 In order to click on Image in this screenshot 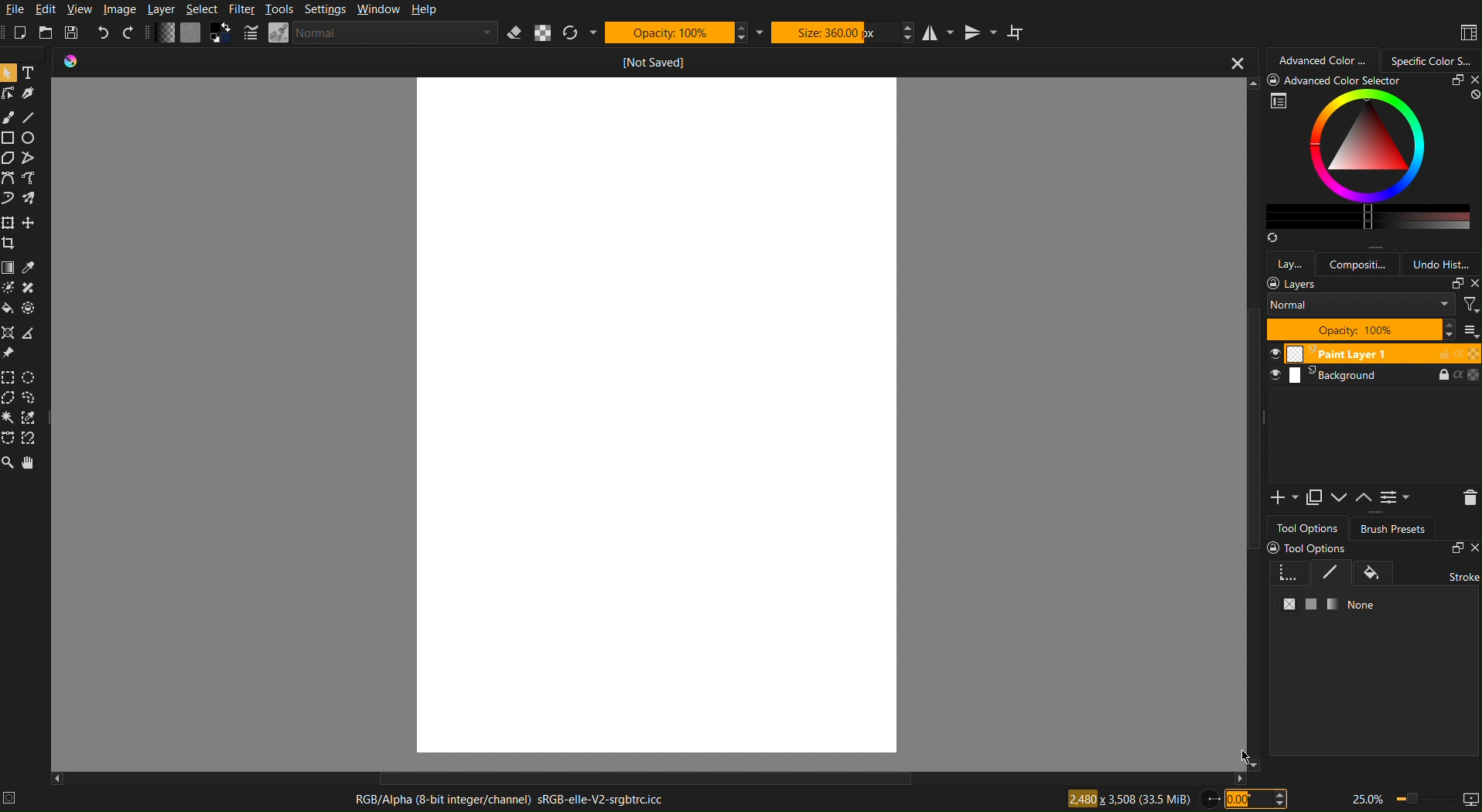, I will do `click(120, 9)`.